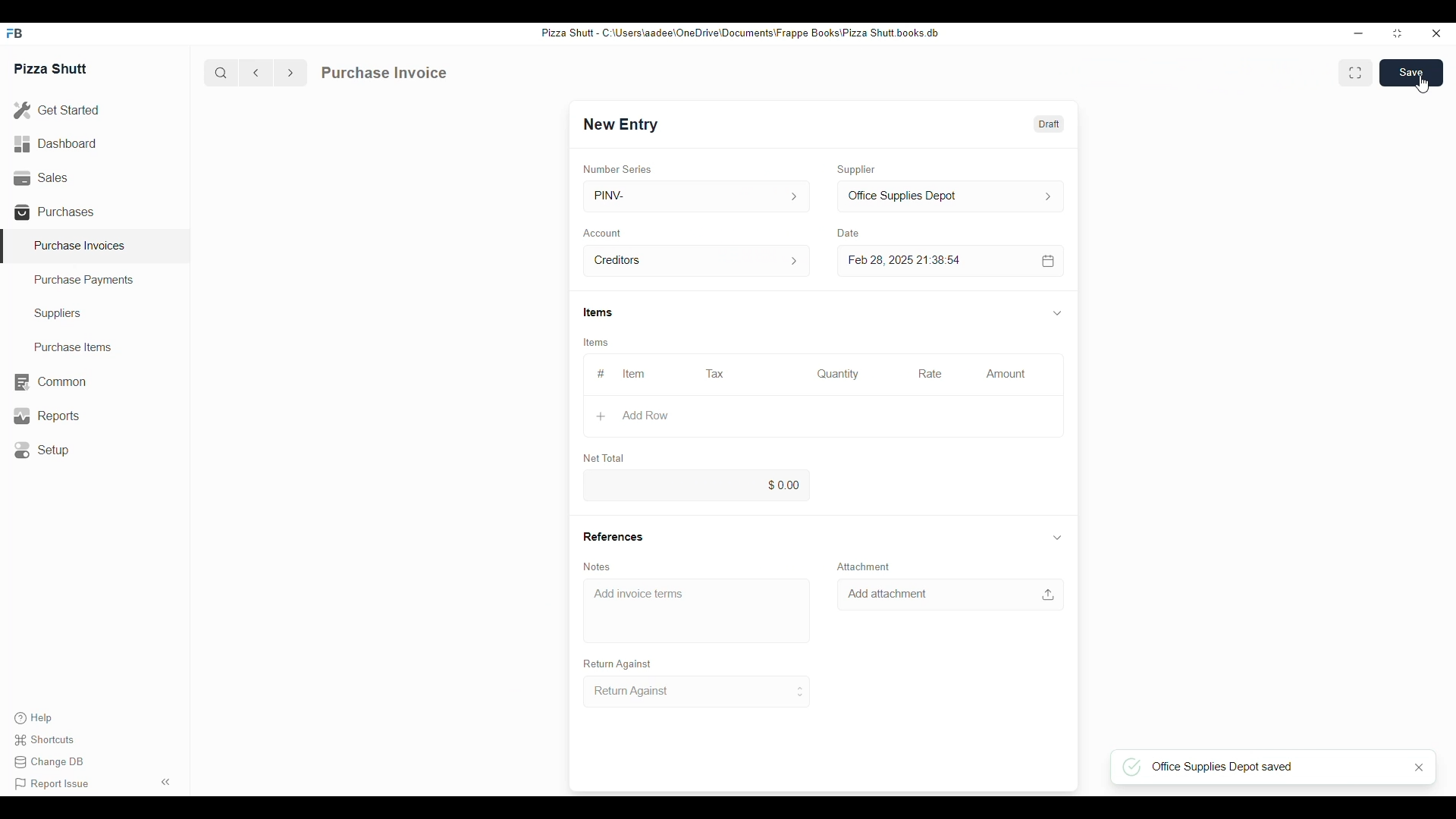 The image size is (1456, 819). I want to click on Report issue, so click(52, 784).